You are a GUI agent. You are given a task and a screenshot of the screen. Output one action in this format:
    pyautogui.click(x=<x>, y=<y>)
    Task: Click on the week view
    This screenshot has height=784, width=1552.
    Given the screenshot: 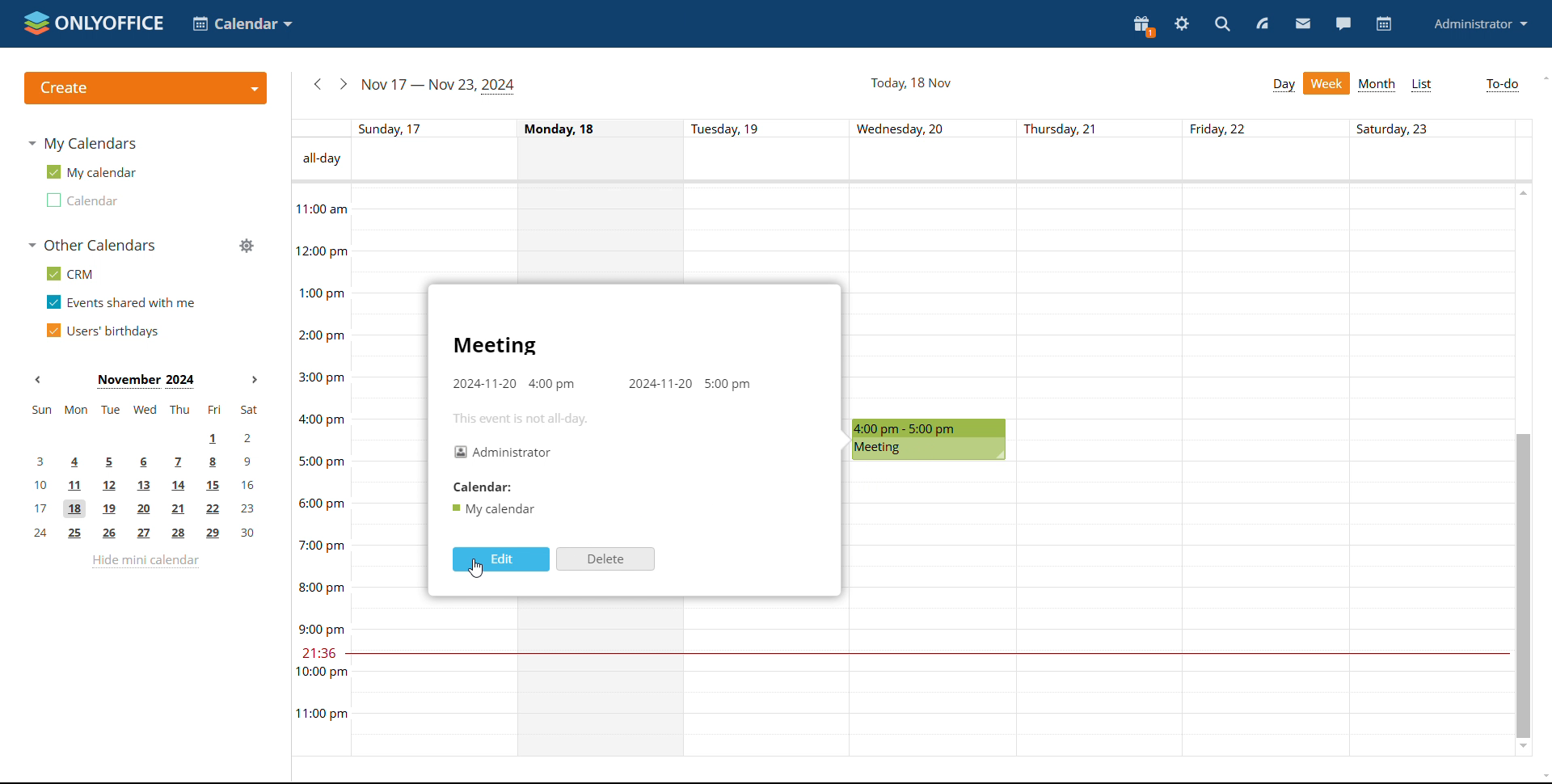 What is the action you would take?
    pyautogui.click(x=1326, y=83)
    